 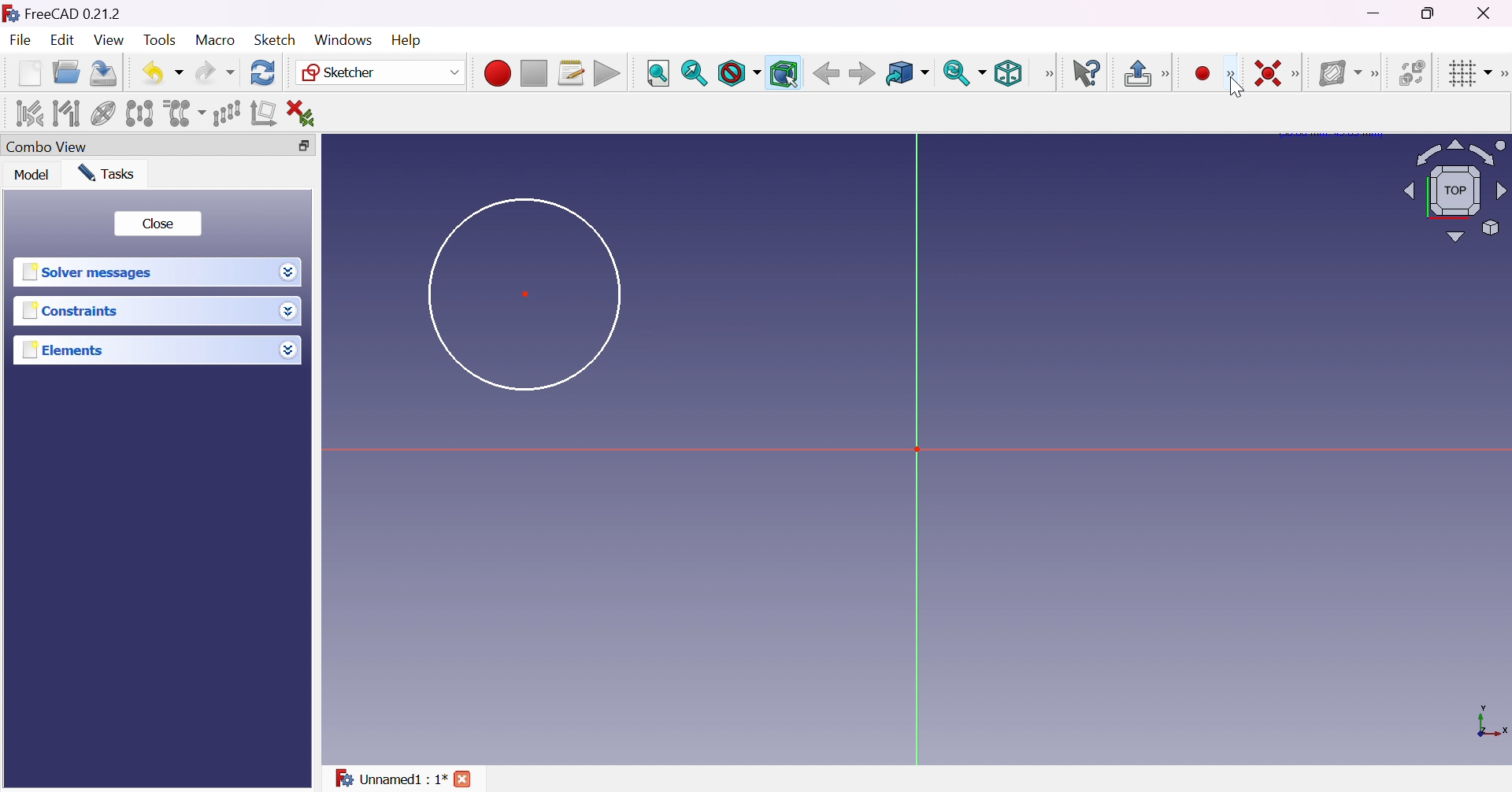 I want to click on close, so click(x=465, y=779).